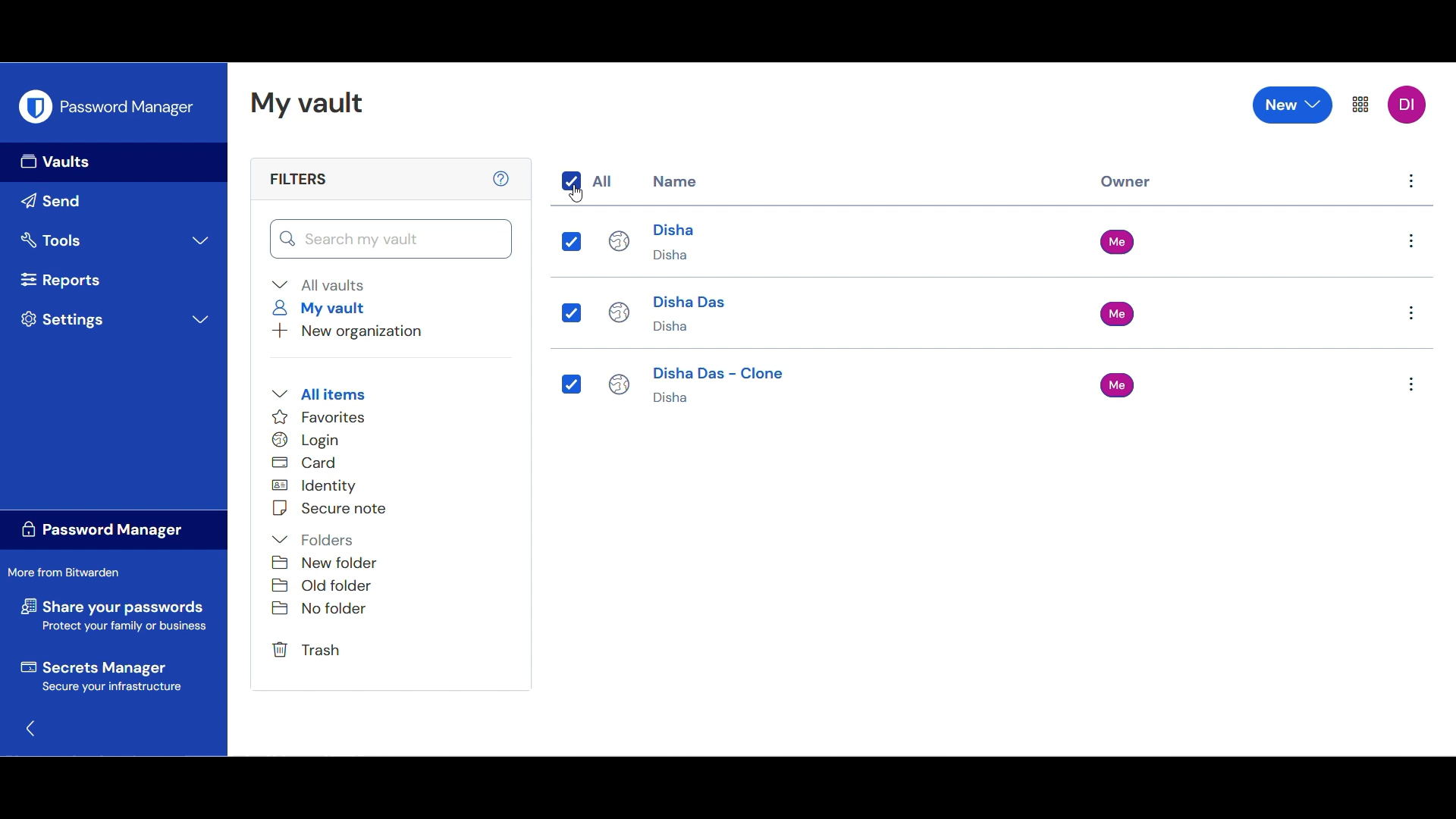 This screenshot has height=819, width=1456. I want to click on Disha Das     Disha, so click(667, 314).